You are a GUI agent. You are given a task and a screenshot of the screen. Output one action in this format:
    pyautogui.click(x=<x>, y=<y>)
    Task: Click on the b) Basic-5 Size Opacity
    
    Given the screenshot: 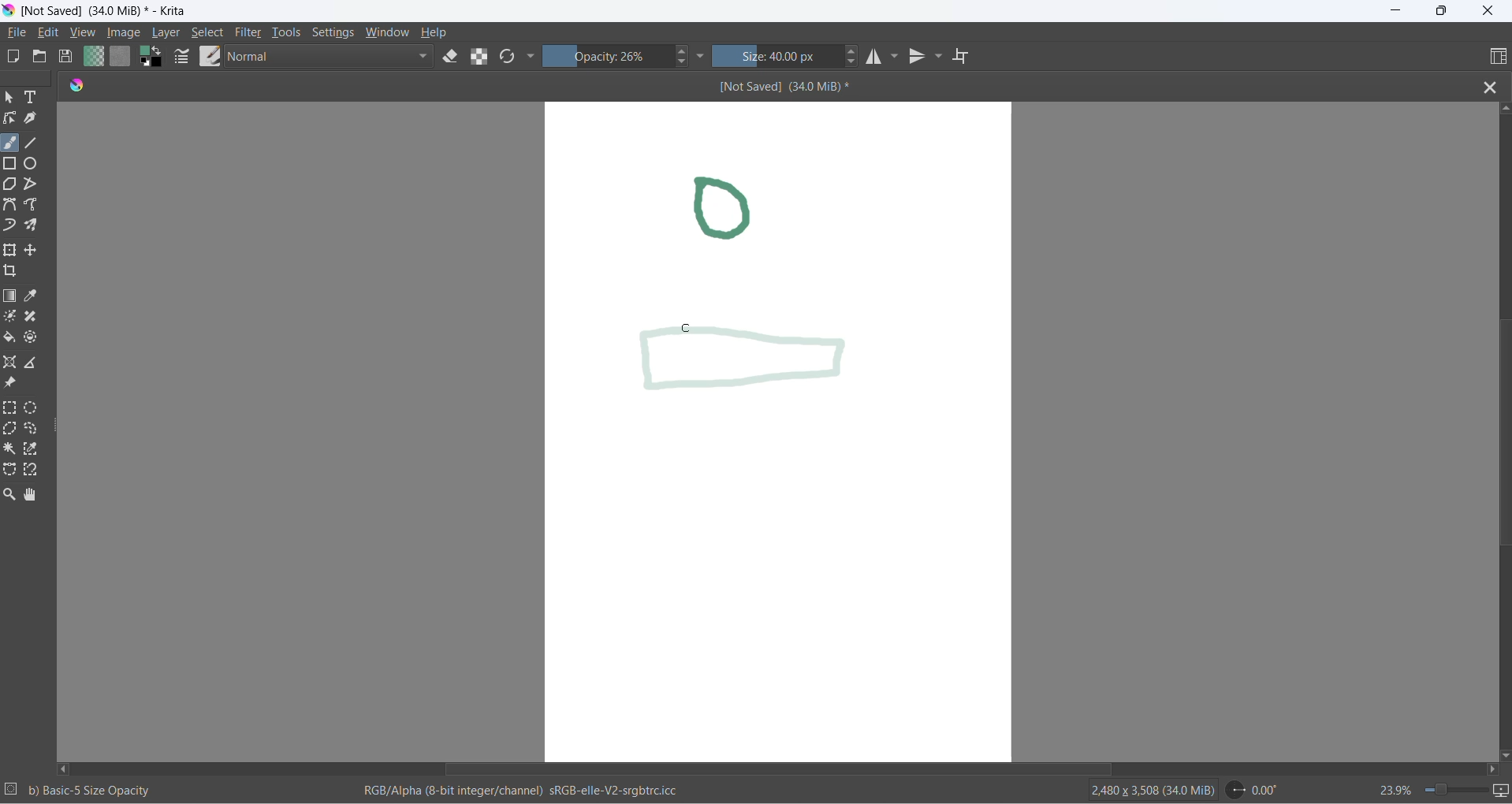 What is the action you would take?
    pyautogui.click(x=92, y=789)
    